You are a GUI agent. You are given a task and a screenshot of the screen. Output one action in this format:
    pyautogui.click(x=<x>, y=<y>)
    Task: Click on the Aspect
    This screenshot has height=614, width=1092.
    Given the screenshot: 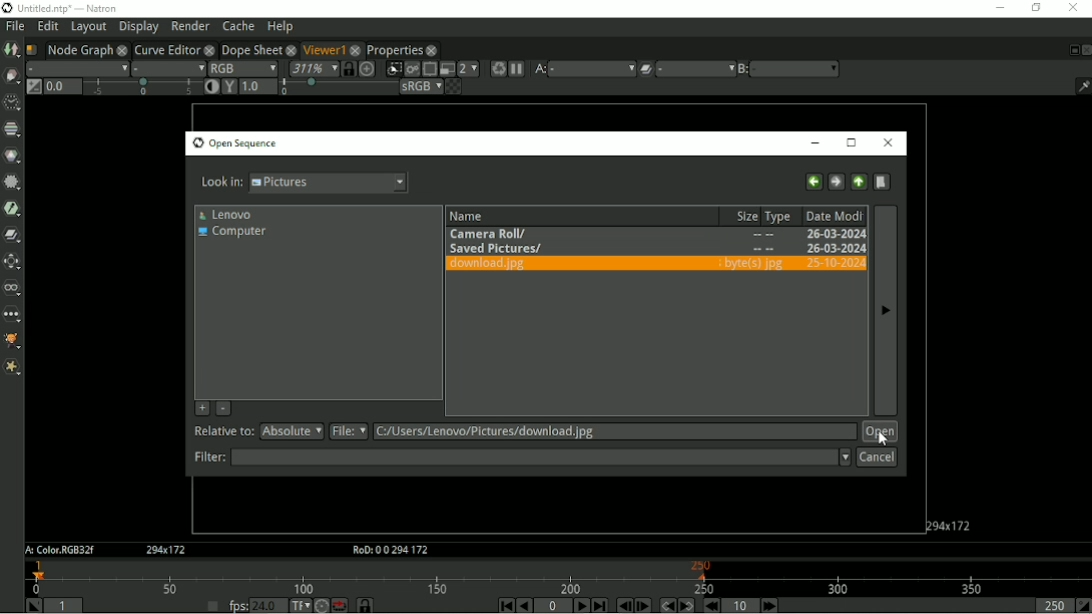 What is the action you would take?
    pyautogui.click(x=167, y=550)
    